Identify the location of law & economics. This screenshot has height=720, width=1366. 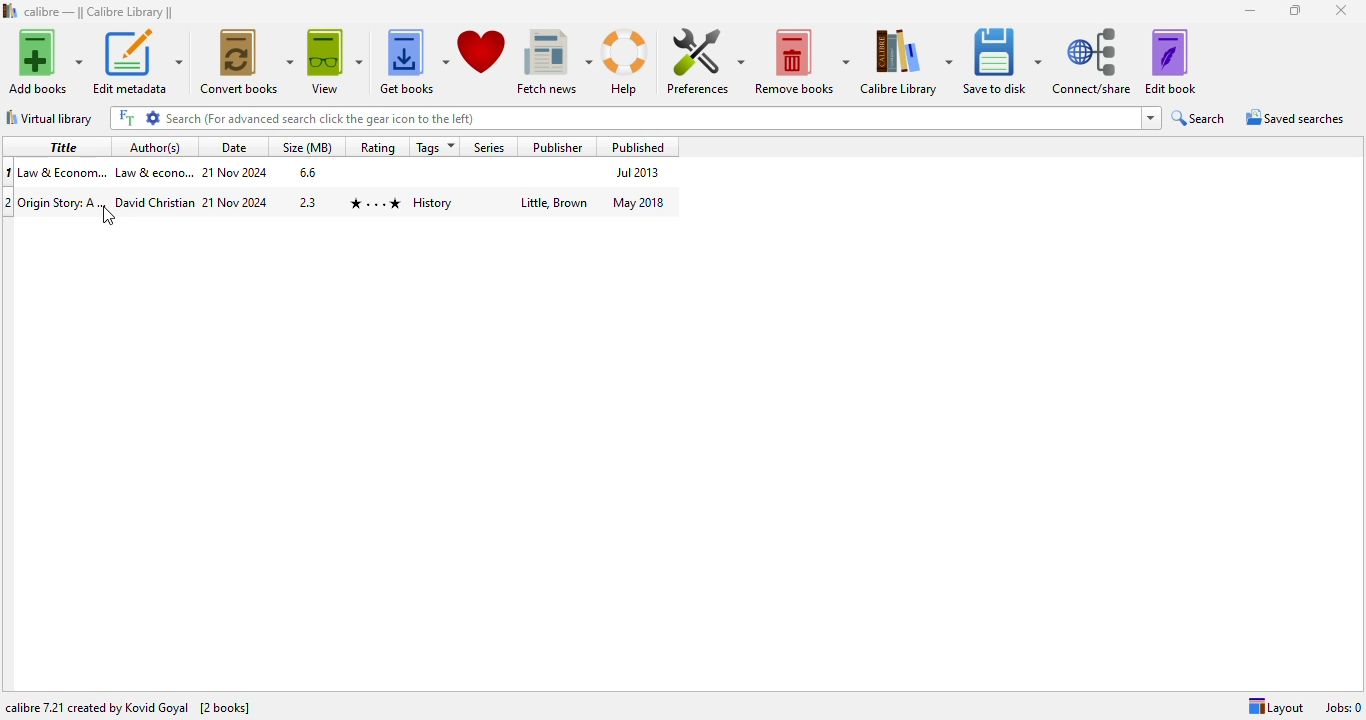
(153, 171).